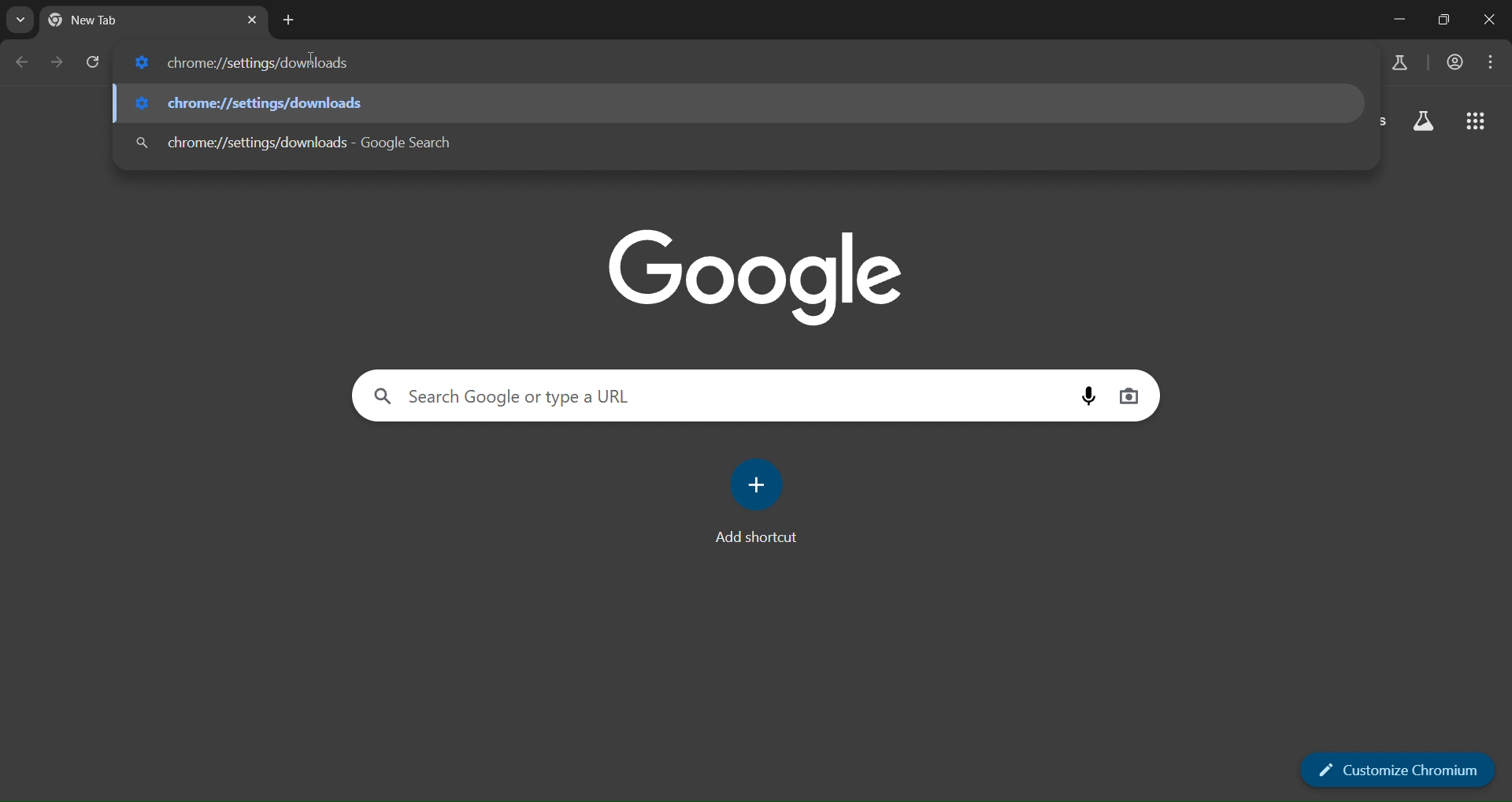  What do you see at coordinates (292, 19) in the screenshot?
I see `new tab` at bounding box center [292, 19].